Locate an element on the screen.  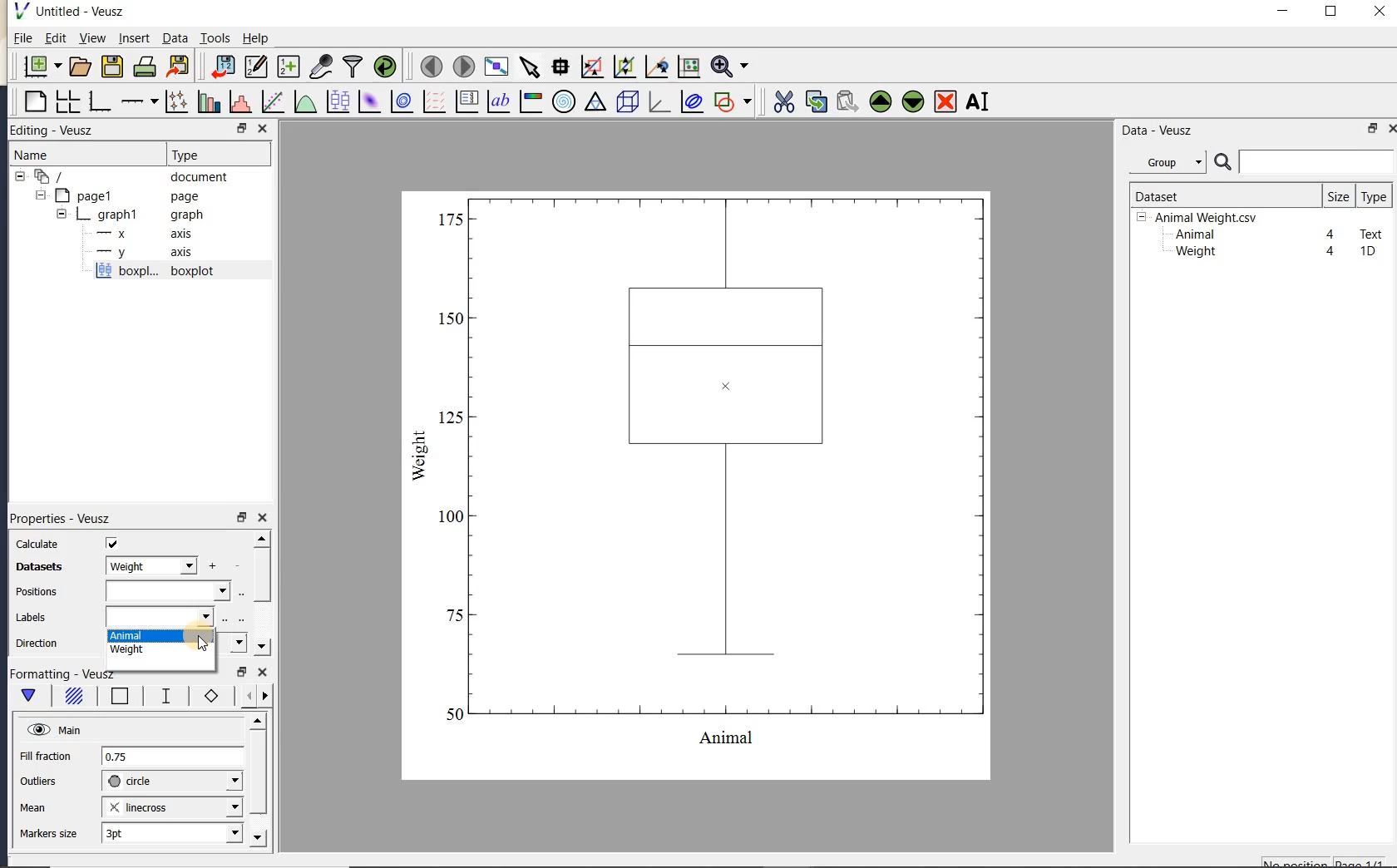
view is located at coordinates (91, 40).